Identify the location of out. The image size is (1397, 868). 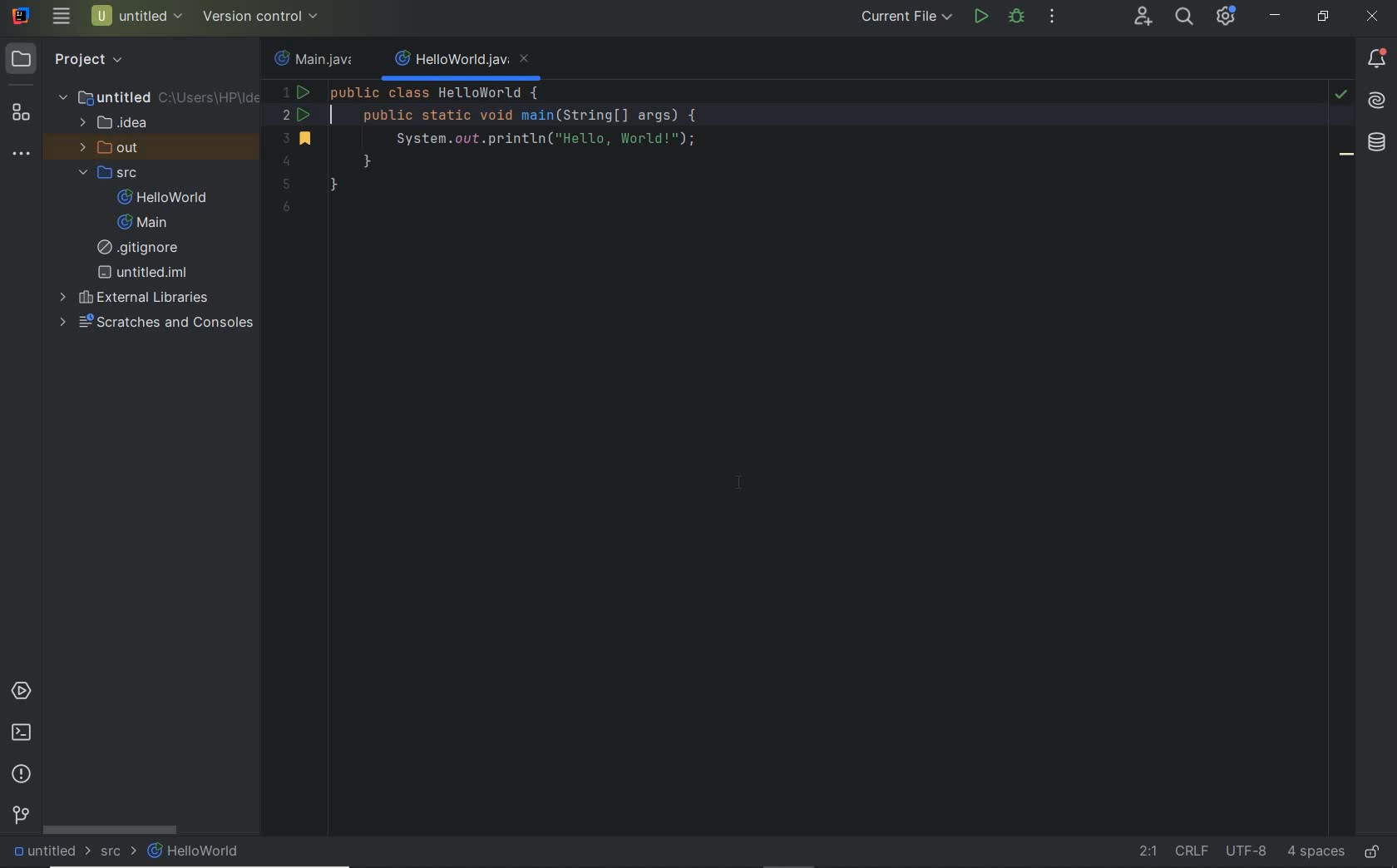
(113, 147).